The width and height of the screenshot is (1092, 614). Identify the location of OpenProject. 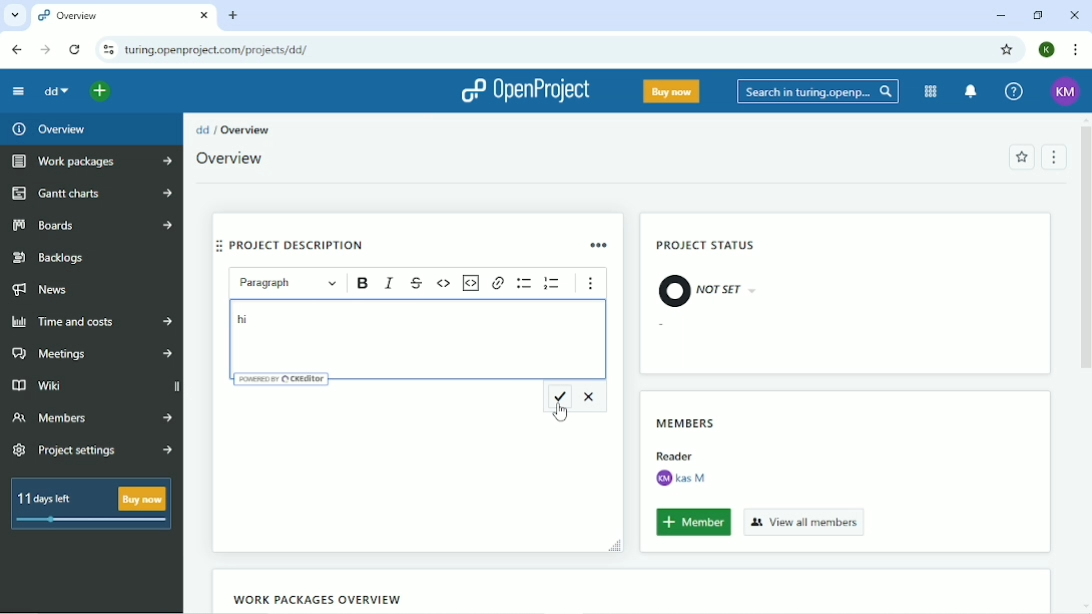
(526, 92).